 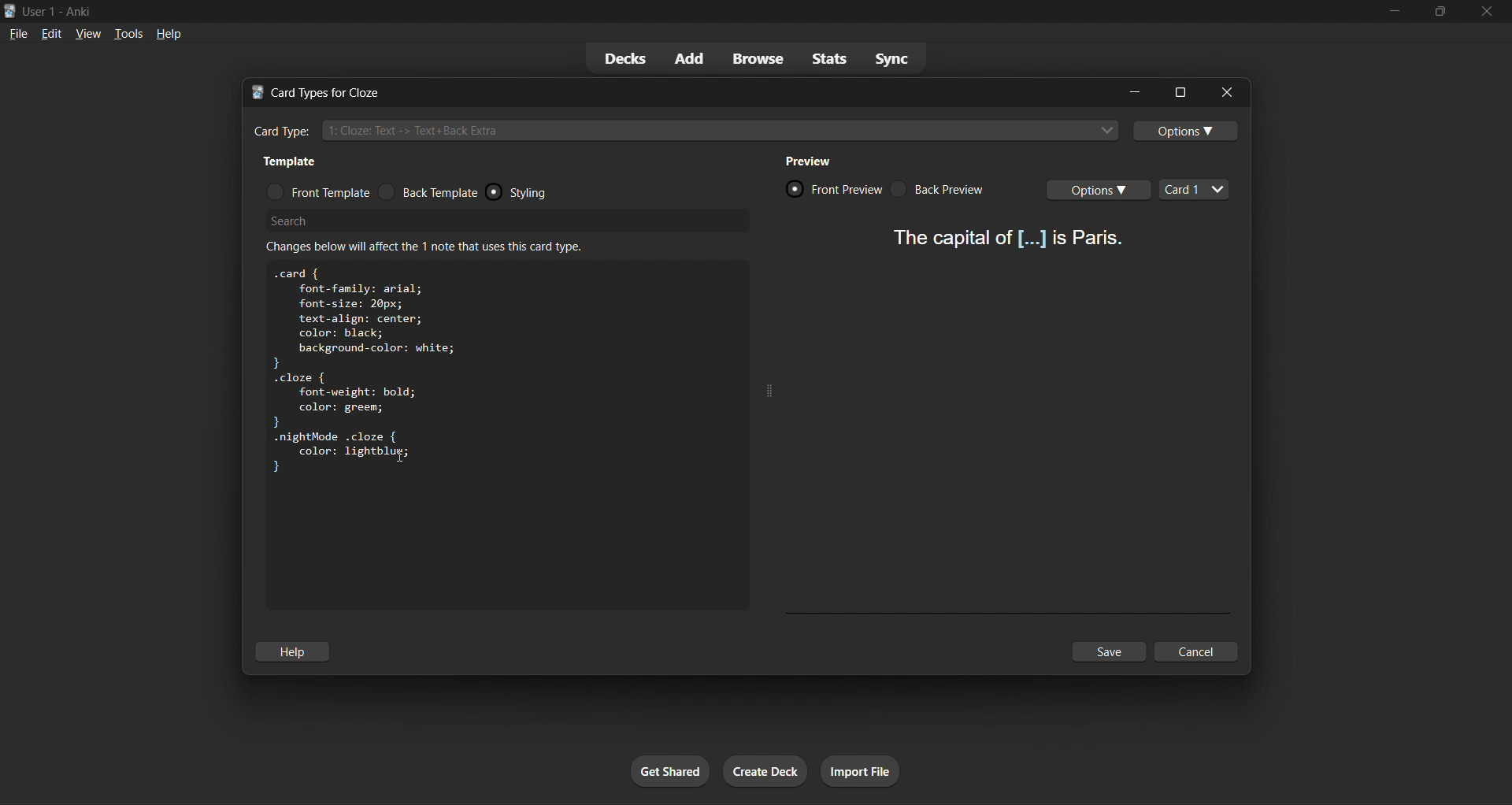 I want to click on create deck, so click(x=766, y=772).